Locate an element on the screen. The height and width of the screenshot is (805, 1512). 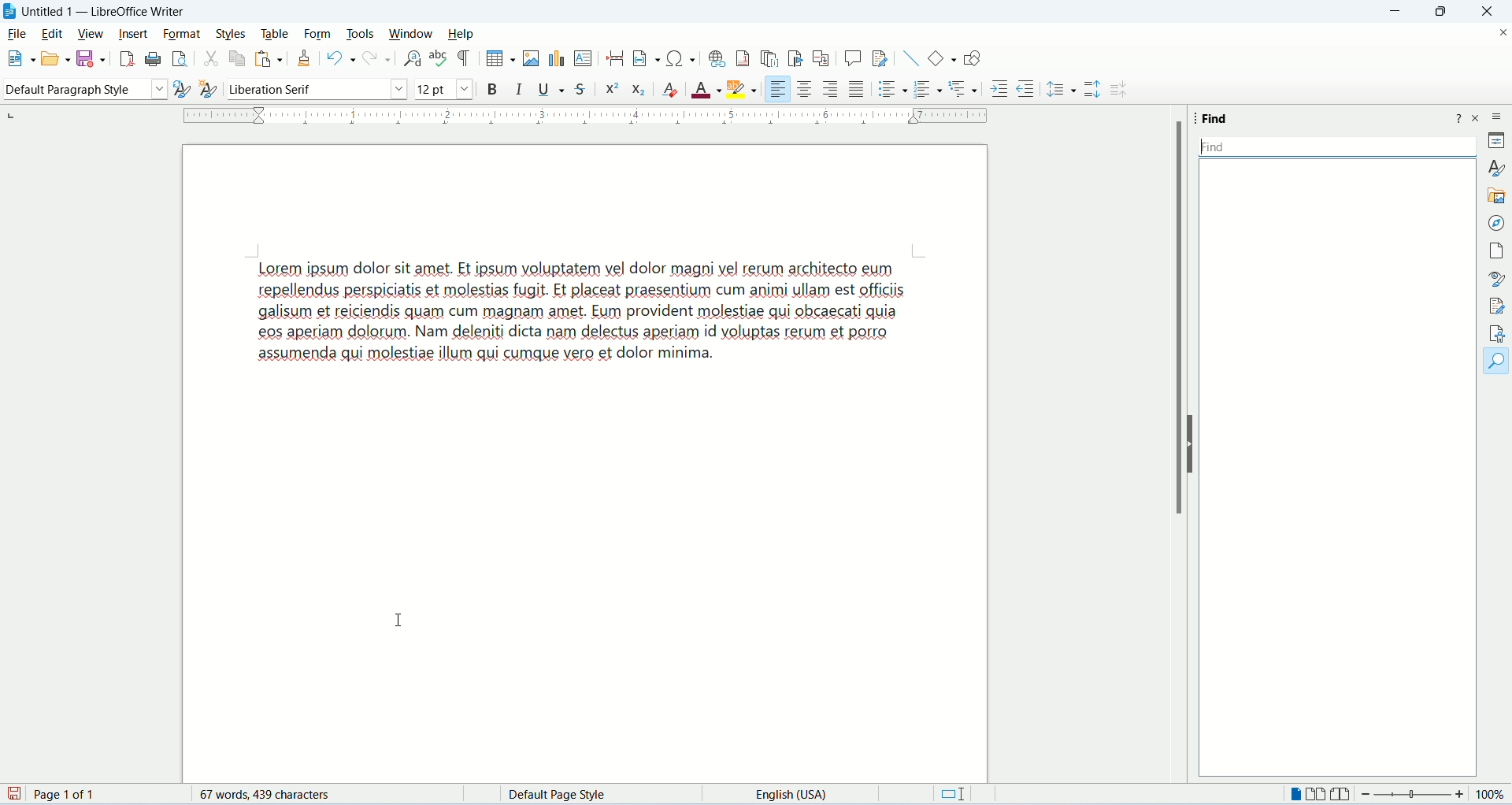
clone formatting is located at coordinates (306, 58).